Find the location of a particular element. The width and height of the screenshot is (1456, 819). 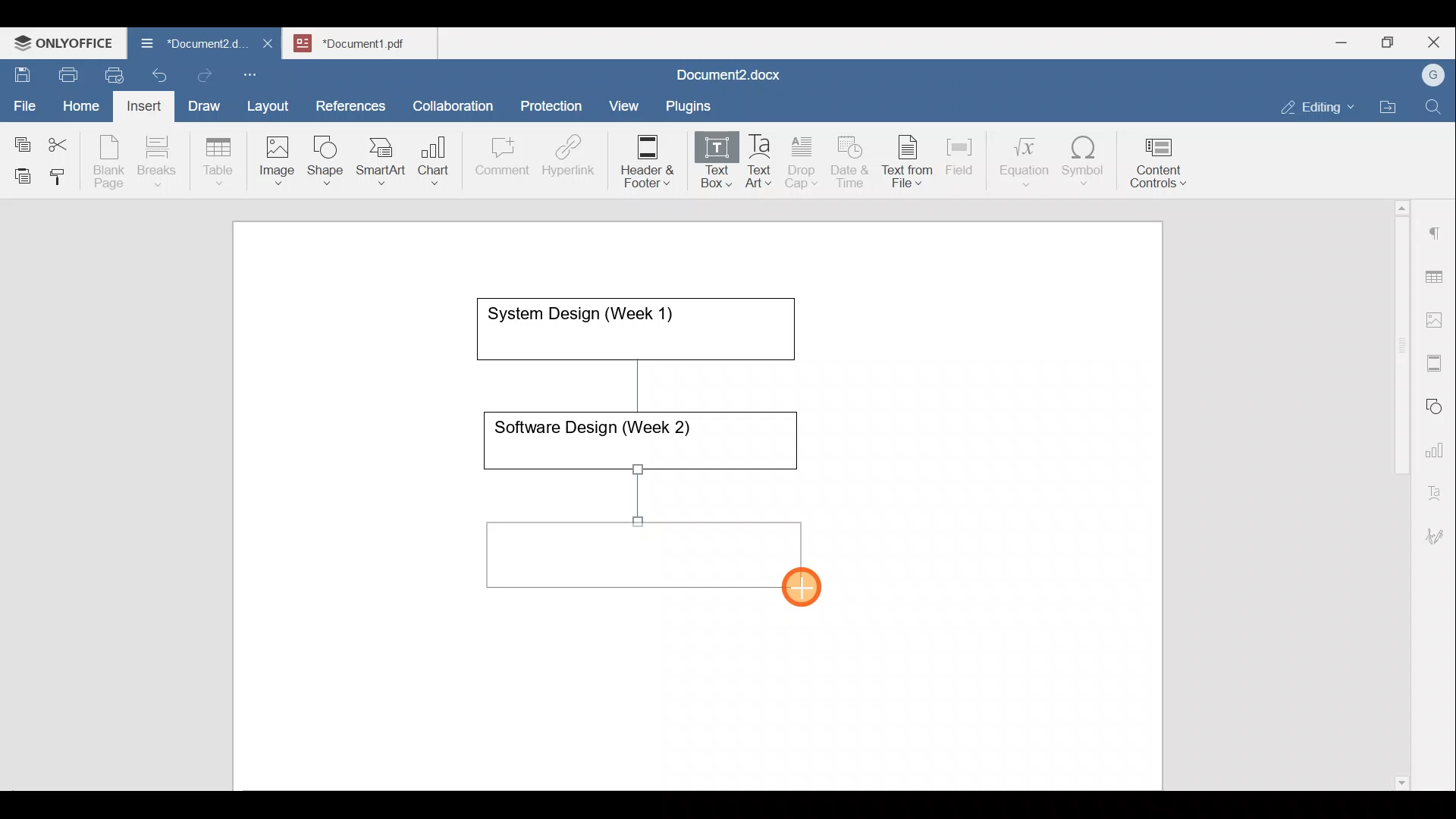

Chart settings is located at coordinates (1438, 444).